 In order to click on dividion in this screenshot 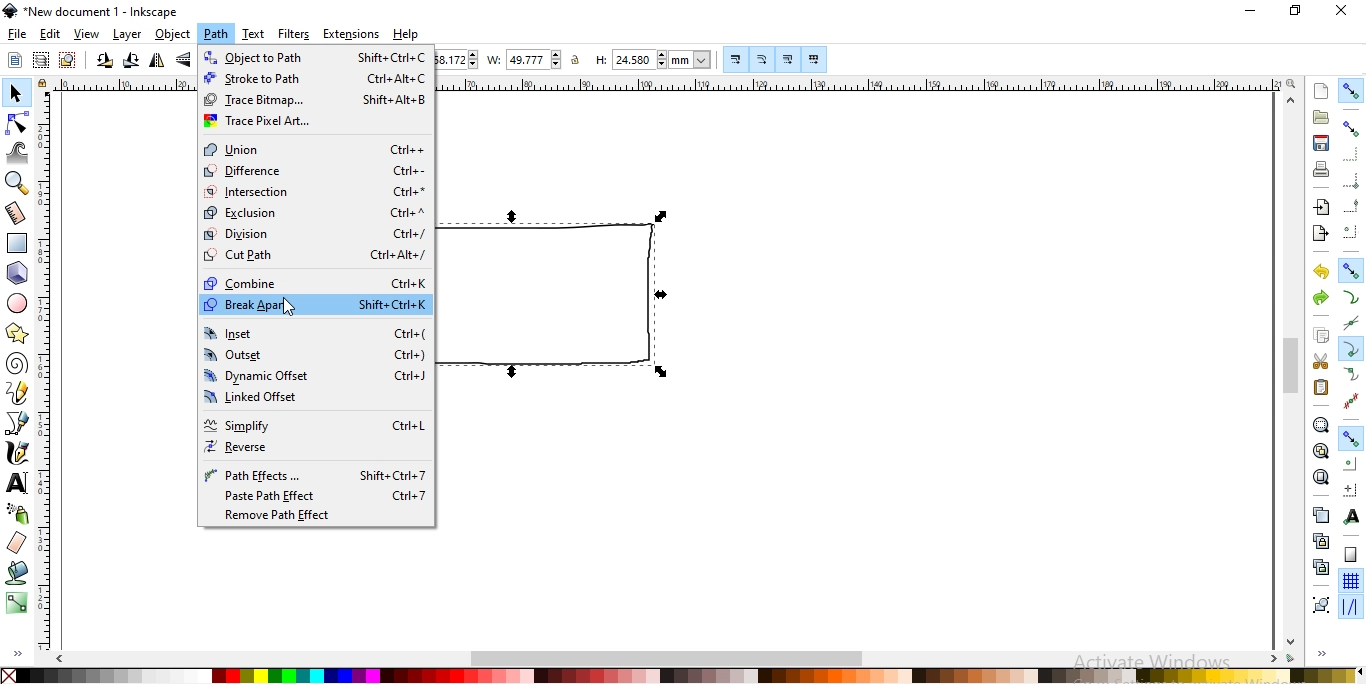, I will do `click(313, 234)`.